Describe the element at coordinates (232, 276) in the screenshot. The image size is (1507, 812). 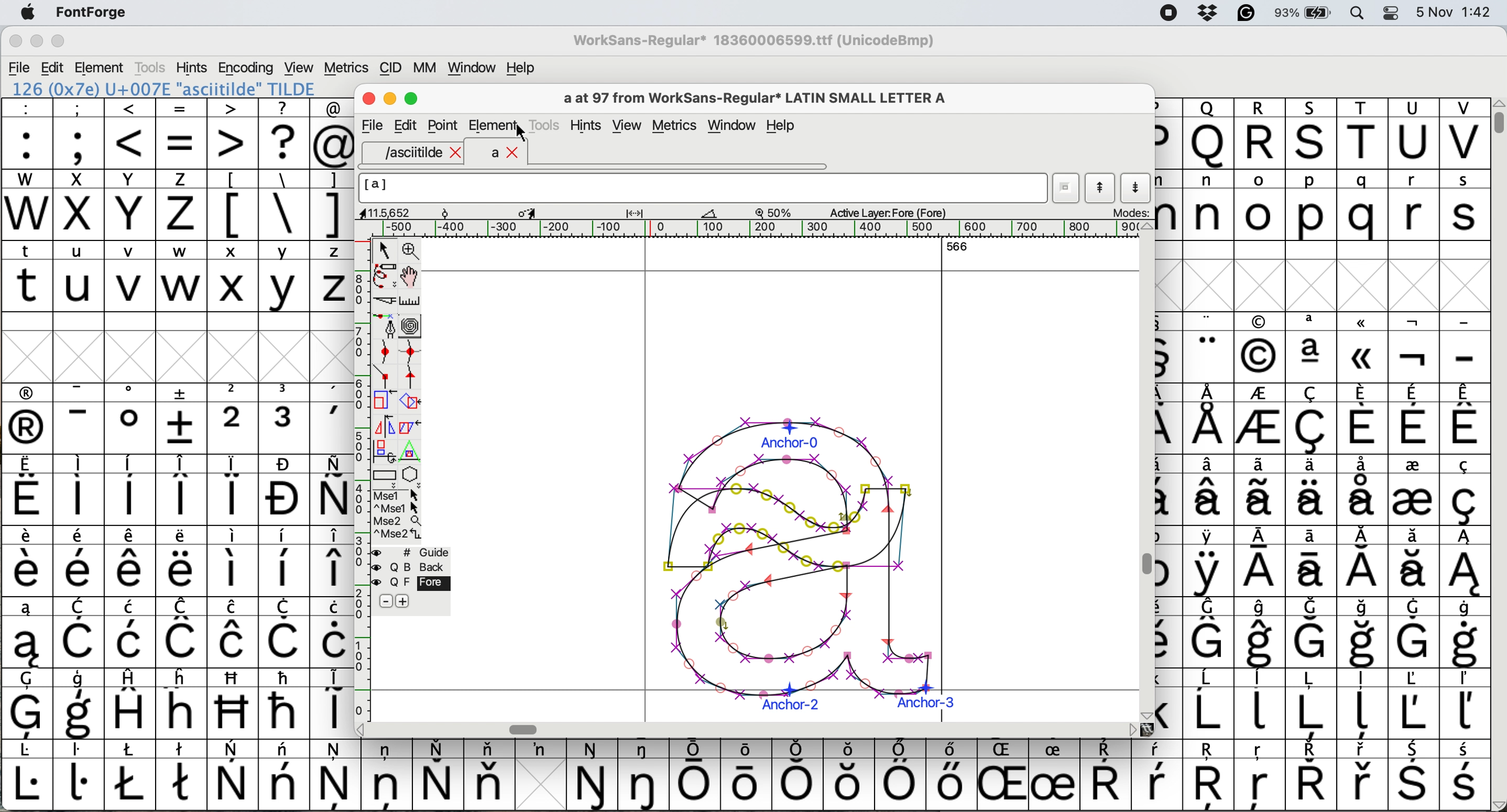
I see `x` at that location.